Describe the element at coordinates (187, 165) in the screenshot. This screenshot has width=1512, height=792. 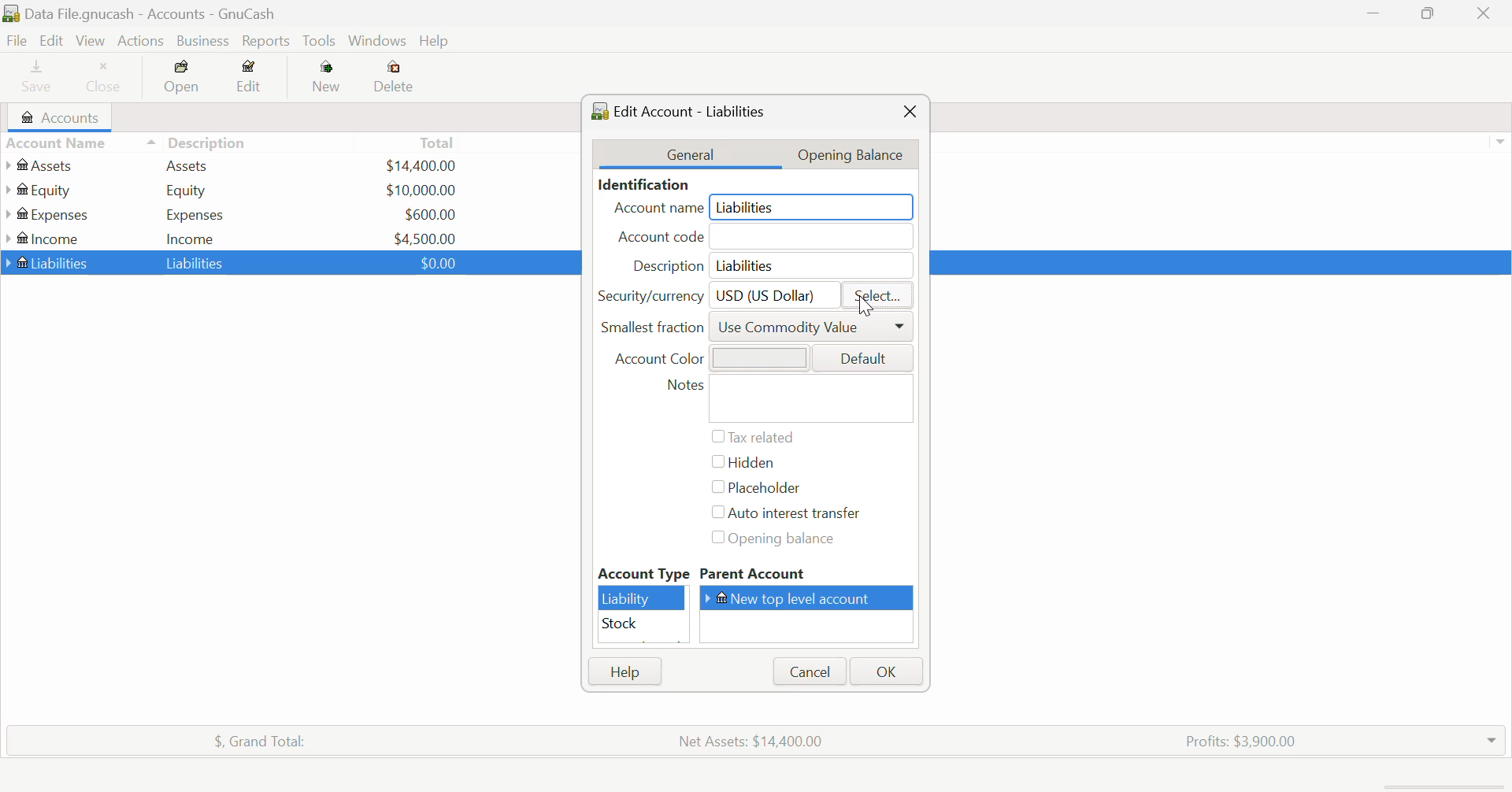
I see `Assets` at that location.